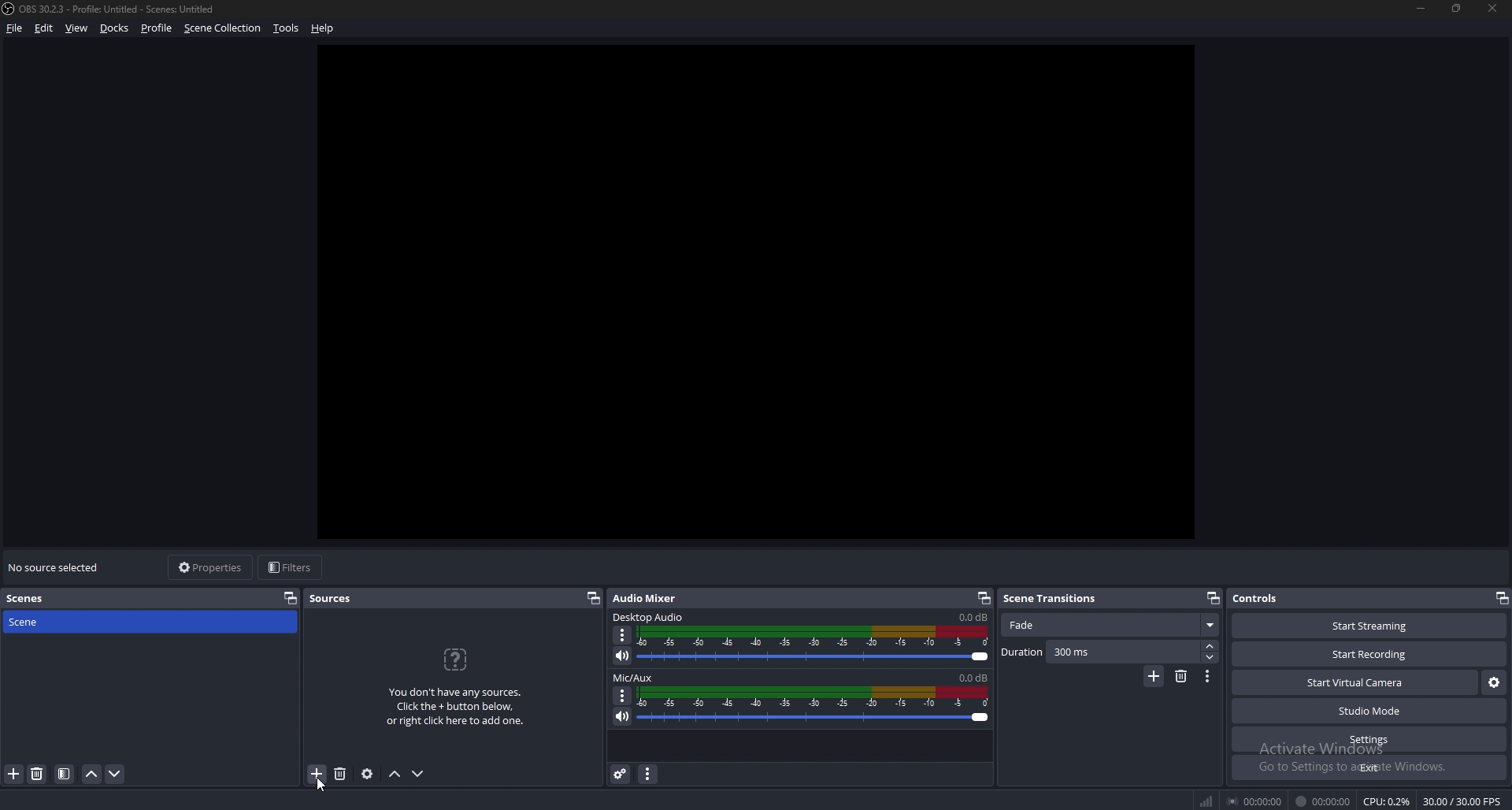  I want to click on pop out, so click(1501, 600).